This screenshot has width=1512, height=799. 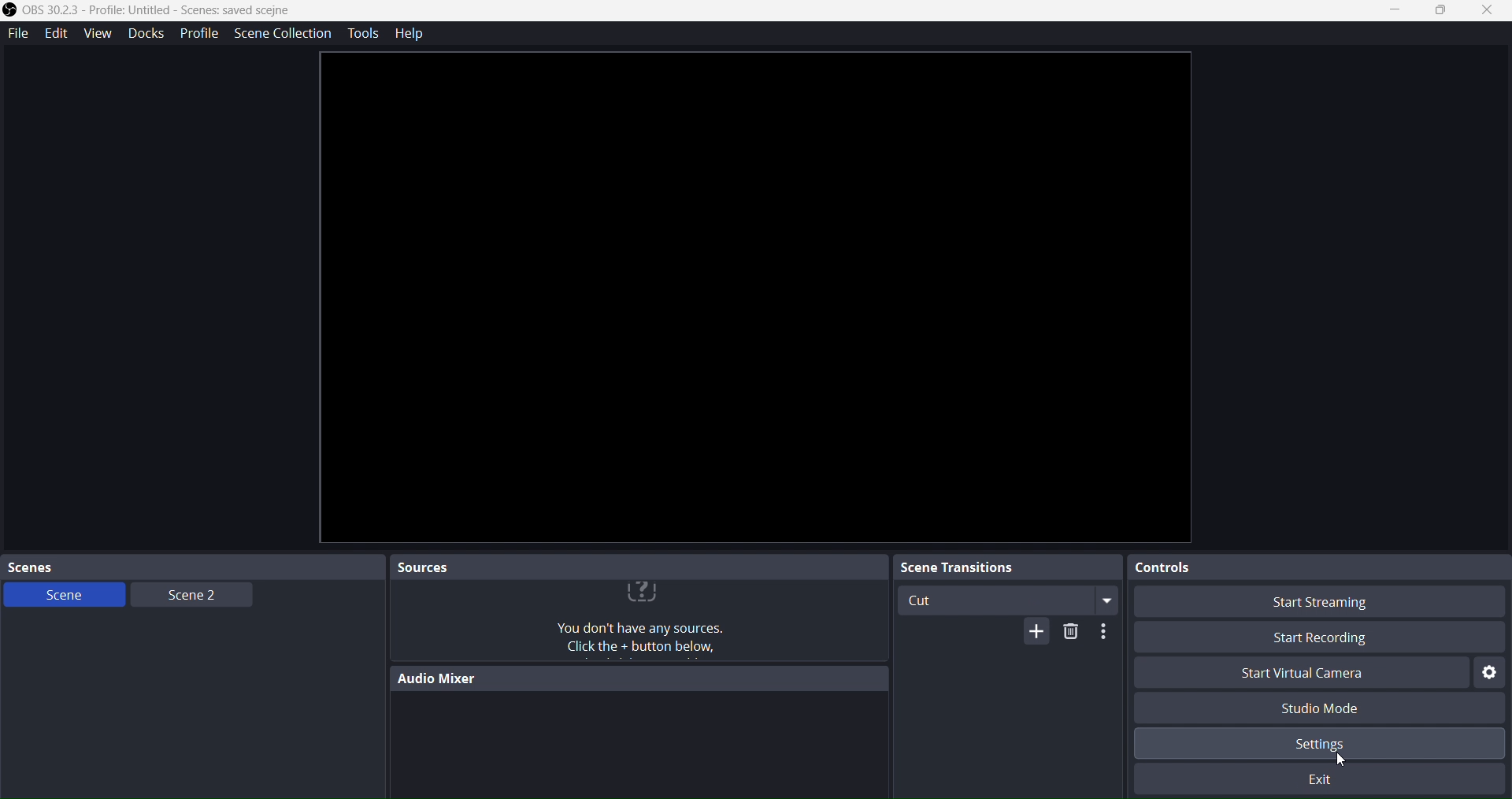 What do you see at coordinates (62, 595) in the screenshot?
I see `Scene` at bounding box center [62, 595].